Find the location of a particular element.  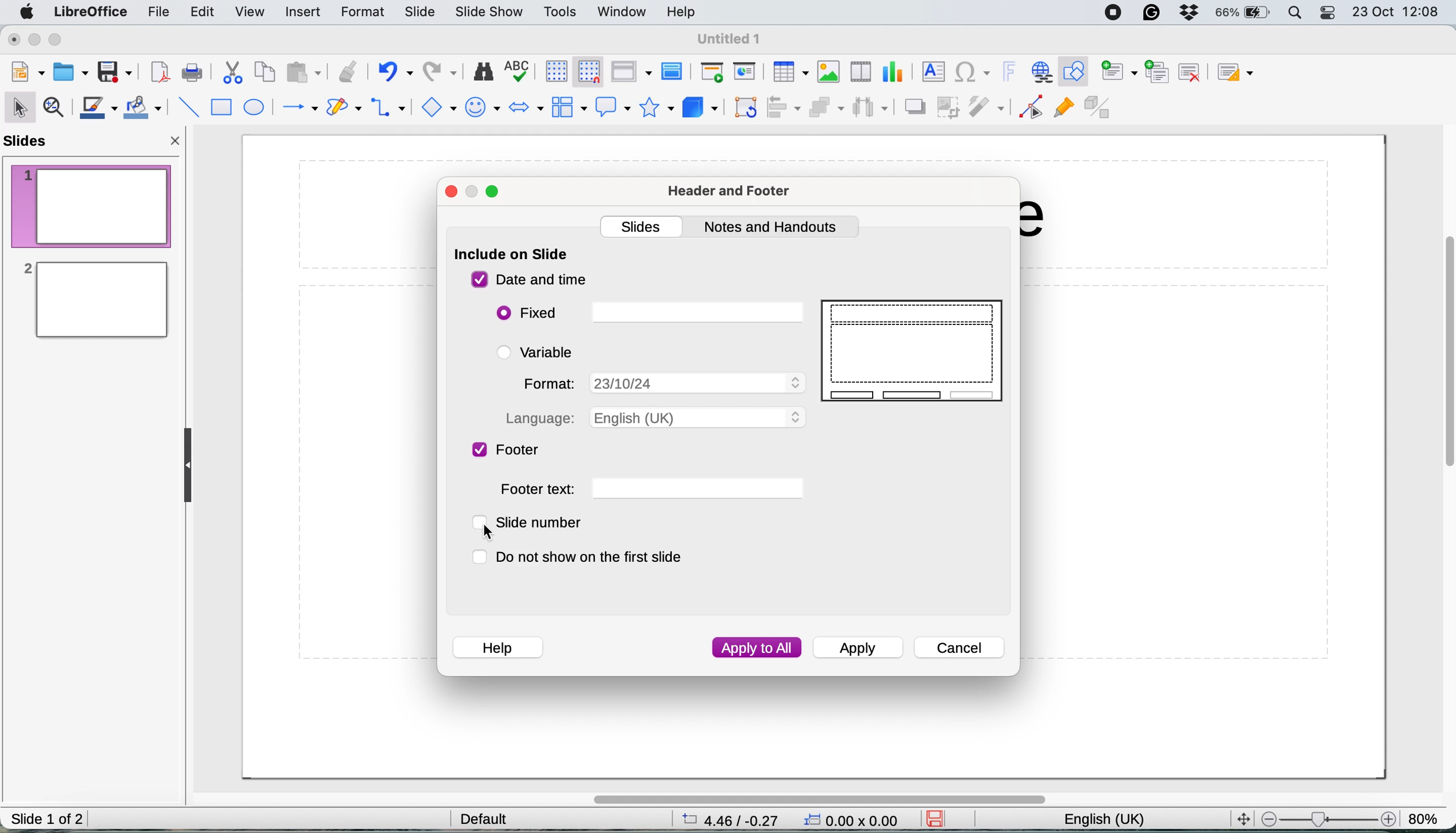

header and footer is located at coordinates (732, 192).